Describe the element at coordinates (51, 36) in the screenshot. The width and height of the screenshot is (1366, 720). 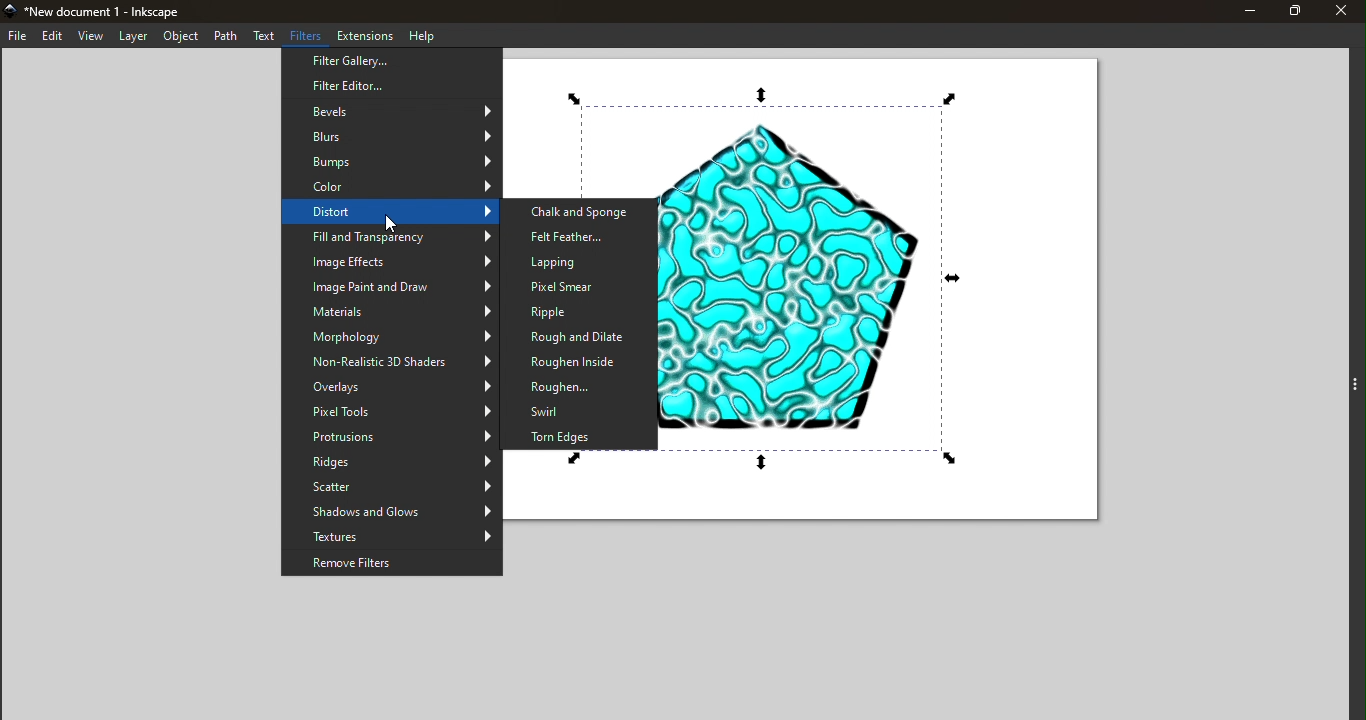
I see `Edit` at that location.